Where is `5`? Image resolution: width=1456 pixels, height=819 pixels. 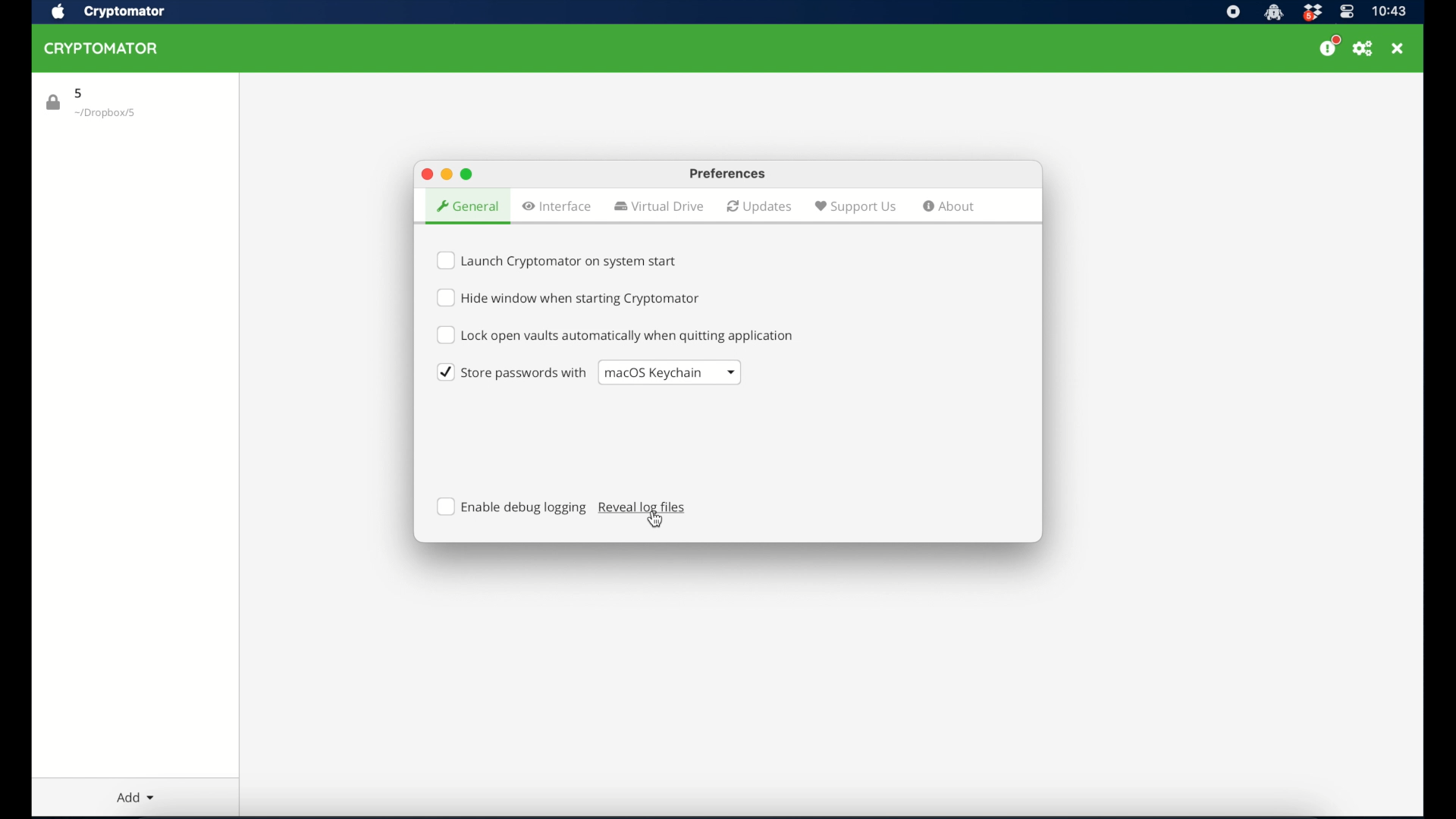 5 is located at coordinates (80, 93).